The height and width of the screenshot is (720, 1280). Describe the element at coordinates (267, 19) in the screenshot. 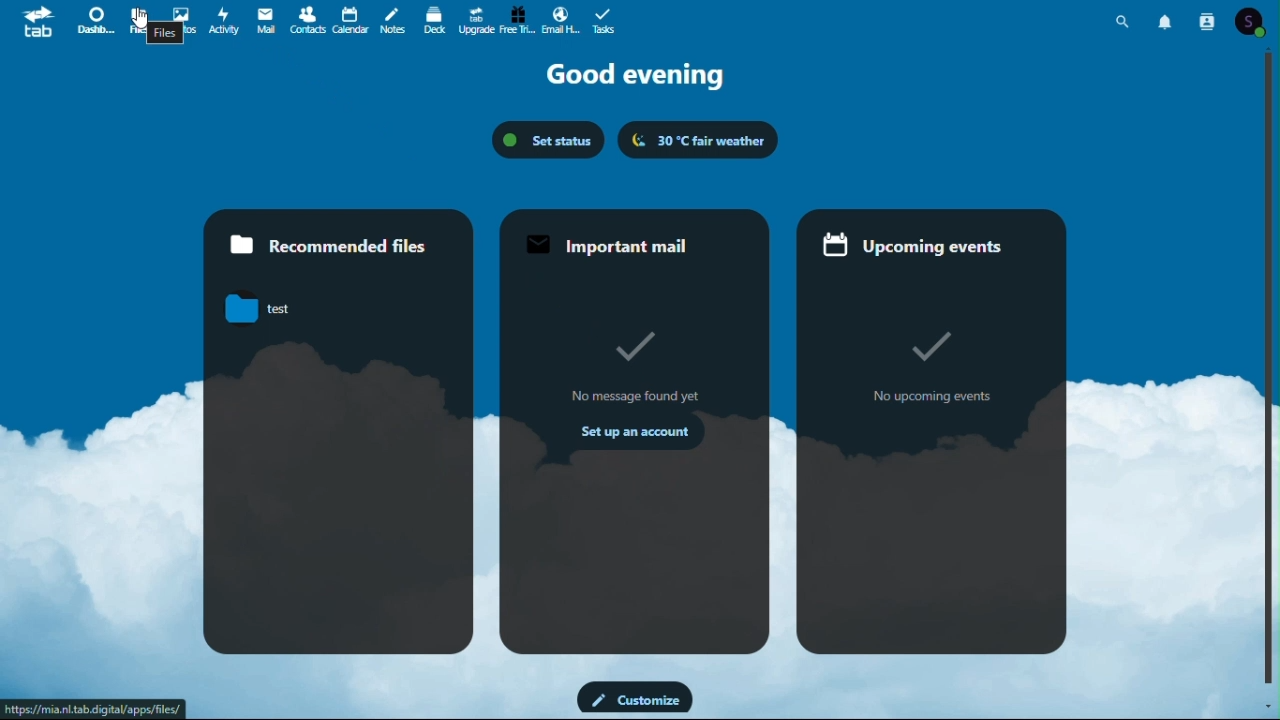

I see `mail` at that location.